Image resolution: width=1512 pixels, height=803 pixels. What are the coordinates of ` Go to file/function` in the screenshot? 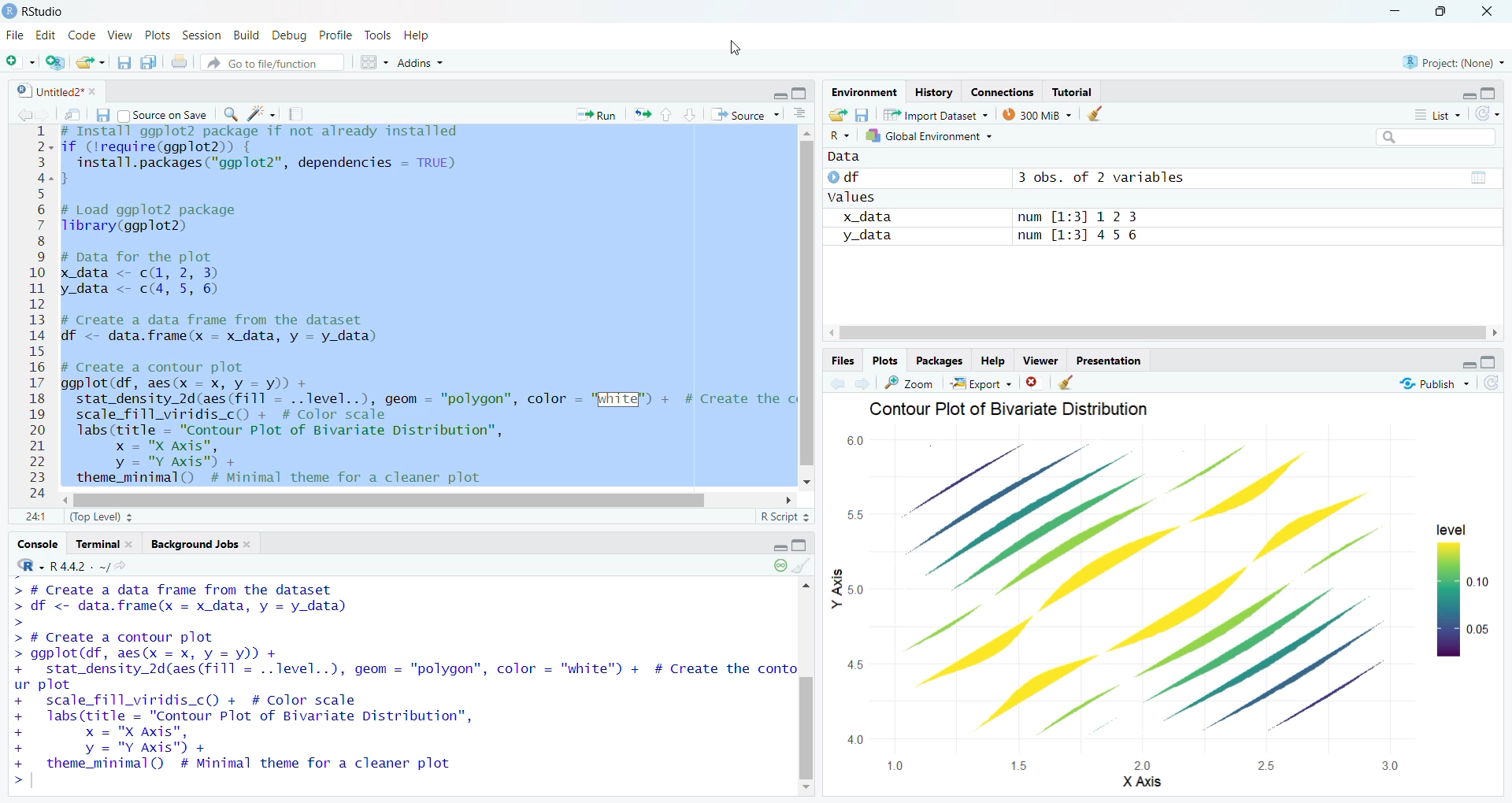 It's located at (270, 62).